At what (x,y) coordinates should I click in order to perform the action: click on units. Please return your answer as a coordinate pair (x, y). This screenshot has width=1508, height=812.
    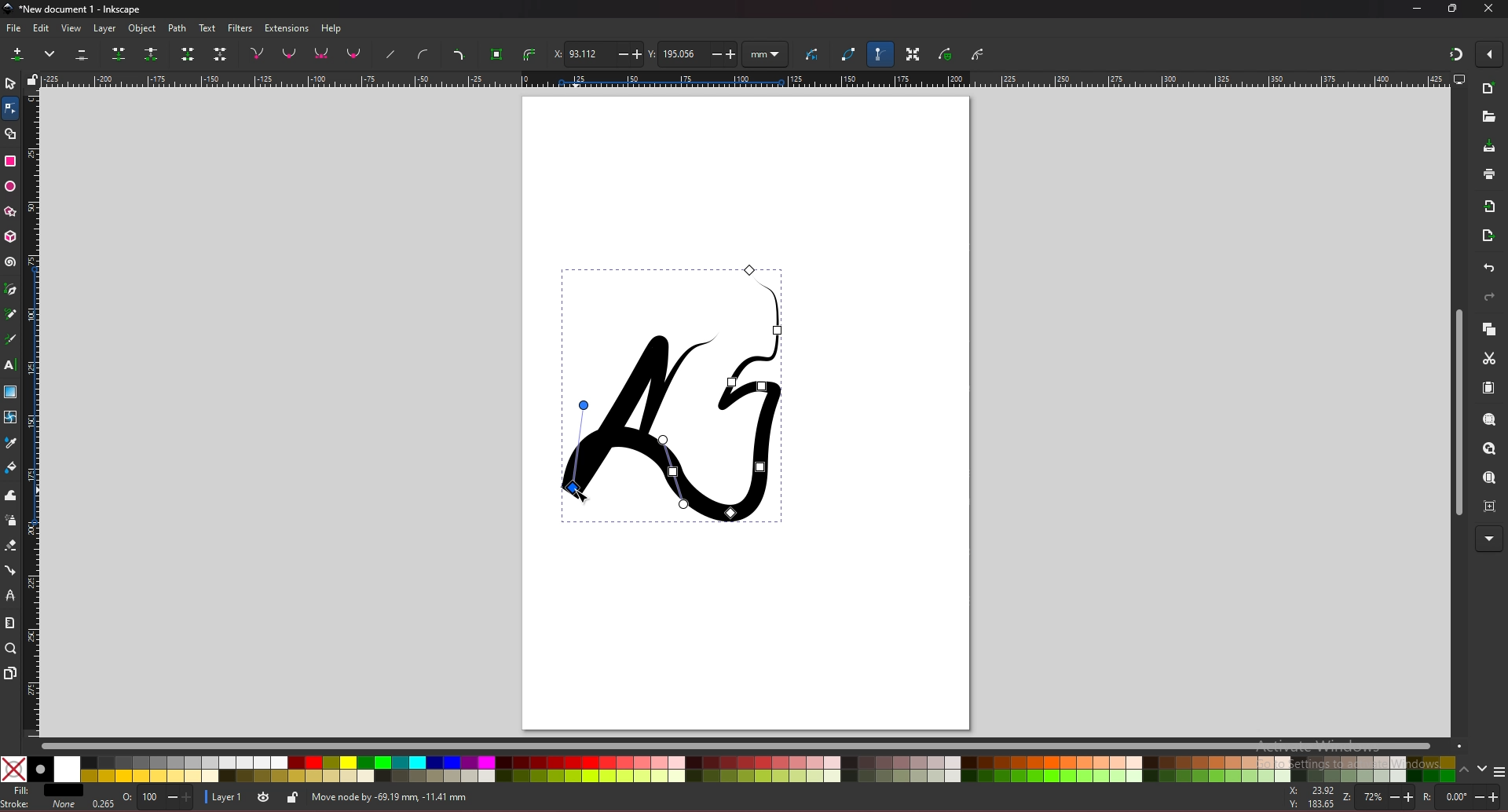
    Looking at the image, I should click on (766, 55).